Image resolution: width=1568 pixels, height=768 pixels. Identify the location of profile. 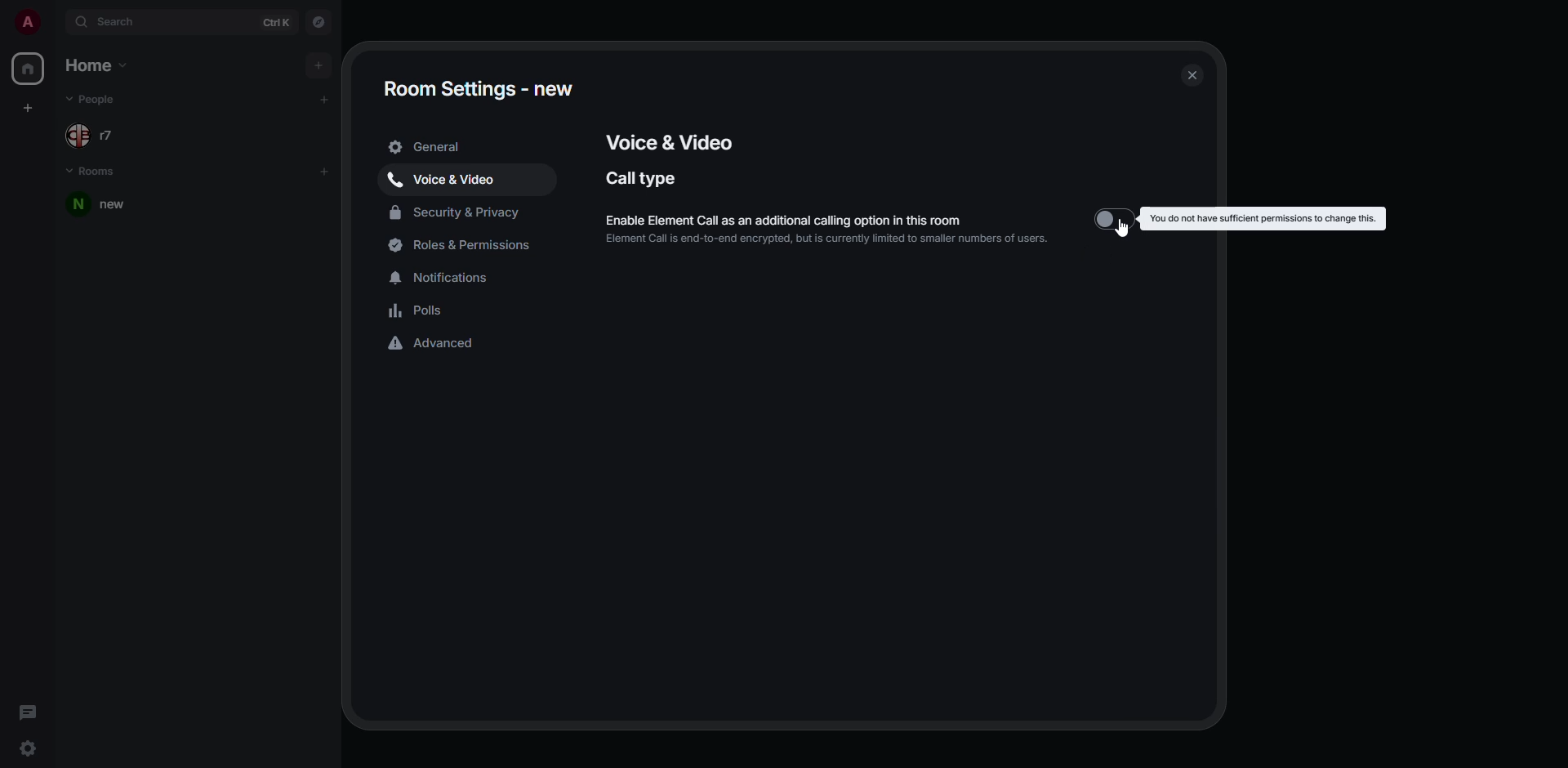
(27, 21).